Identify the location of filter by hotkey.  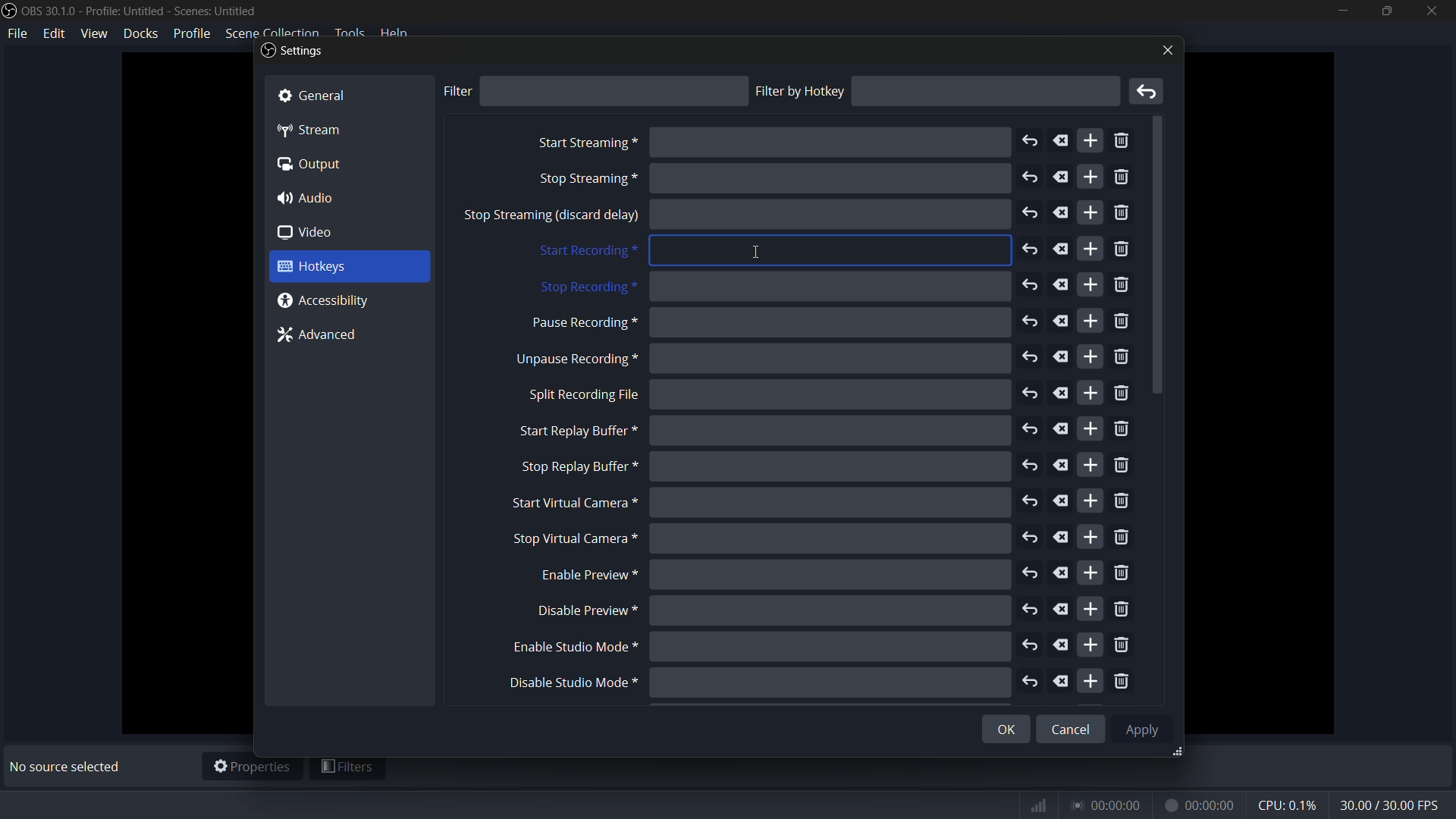
(800, 91).